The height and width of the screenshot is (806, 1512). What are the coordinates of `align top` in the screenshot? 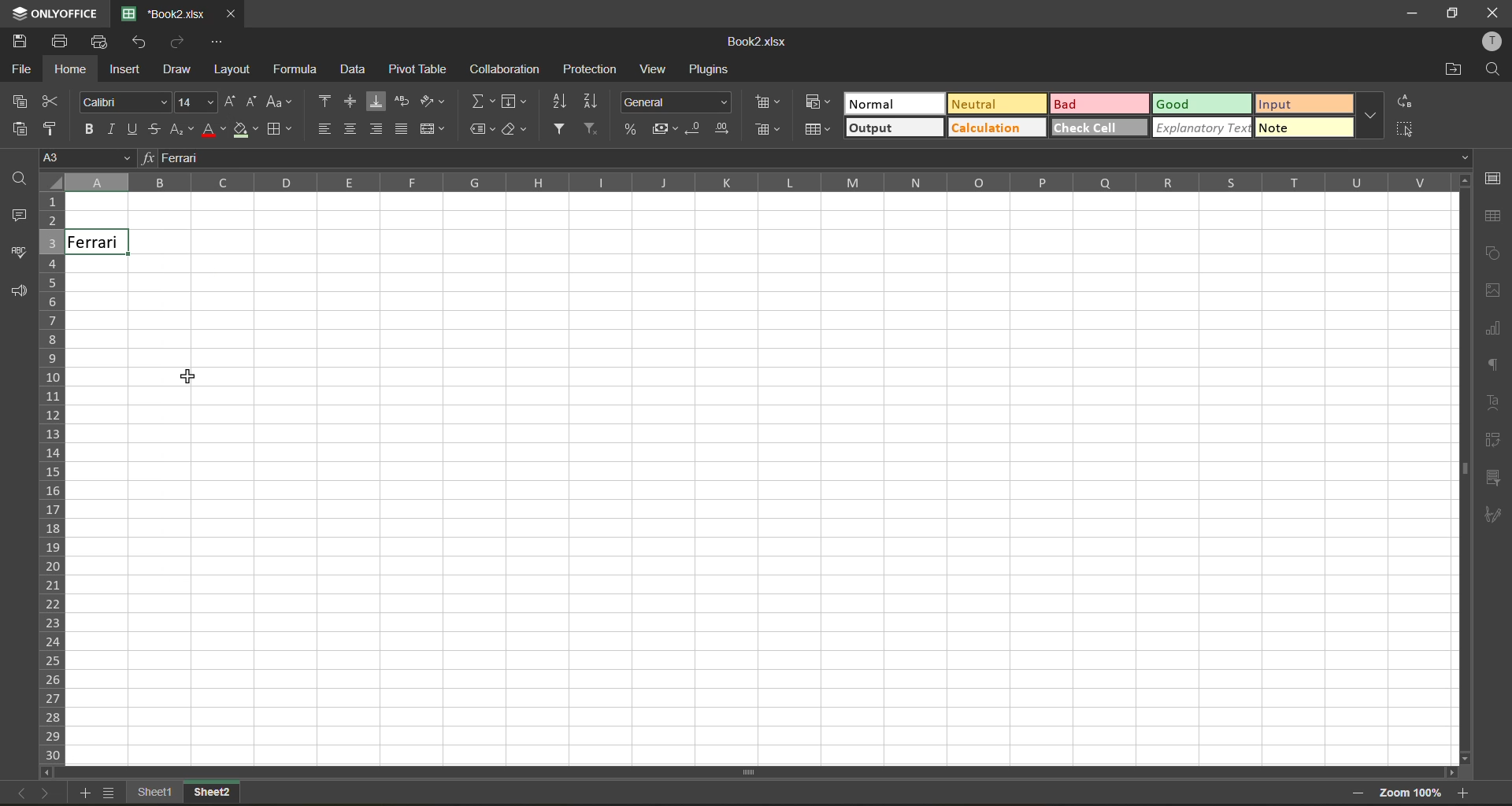 It's located at (323, 100).